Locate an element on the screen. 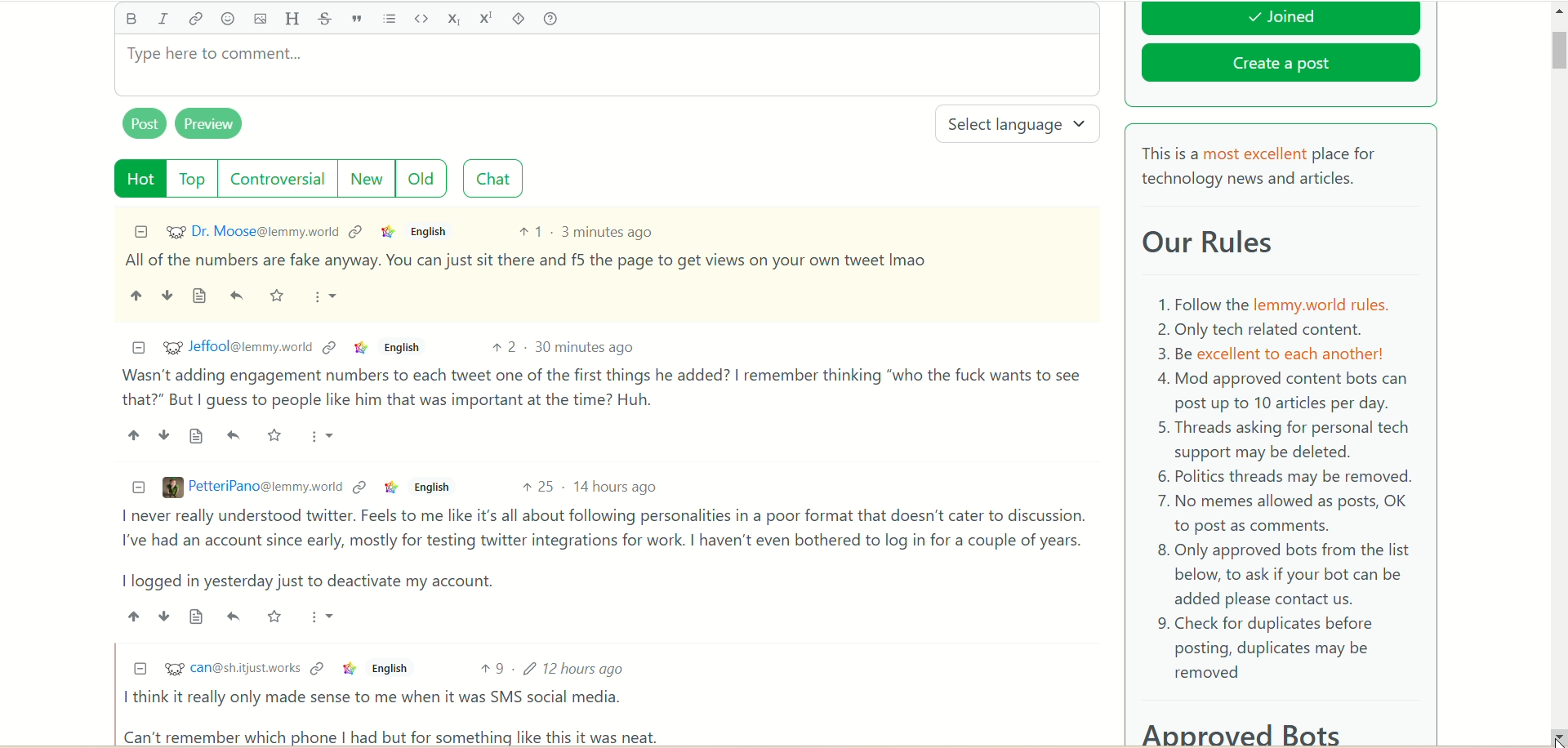 The image size is (1568, 748). Downvote is located at coordinates (164, 434).